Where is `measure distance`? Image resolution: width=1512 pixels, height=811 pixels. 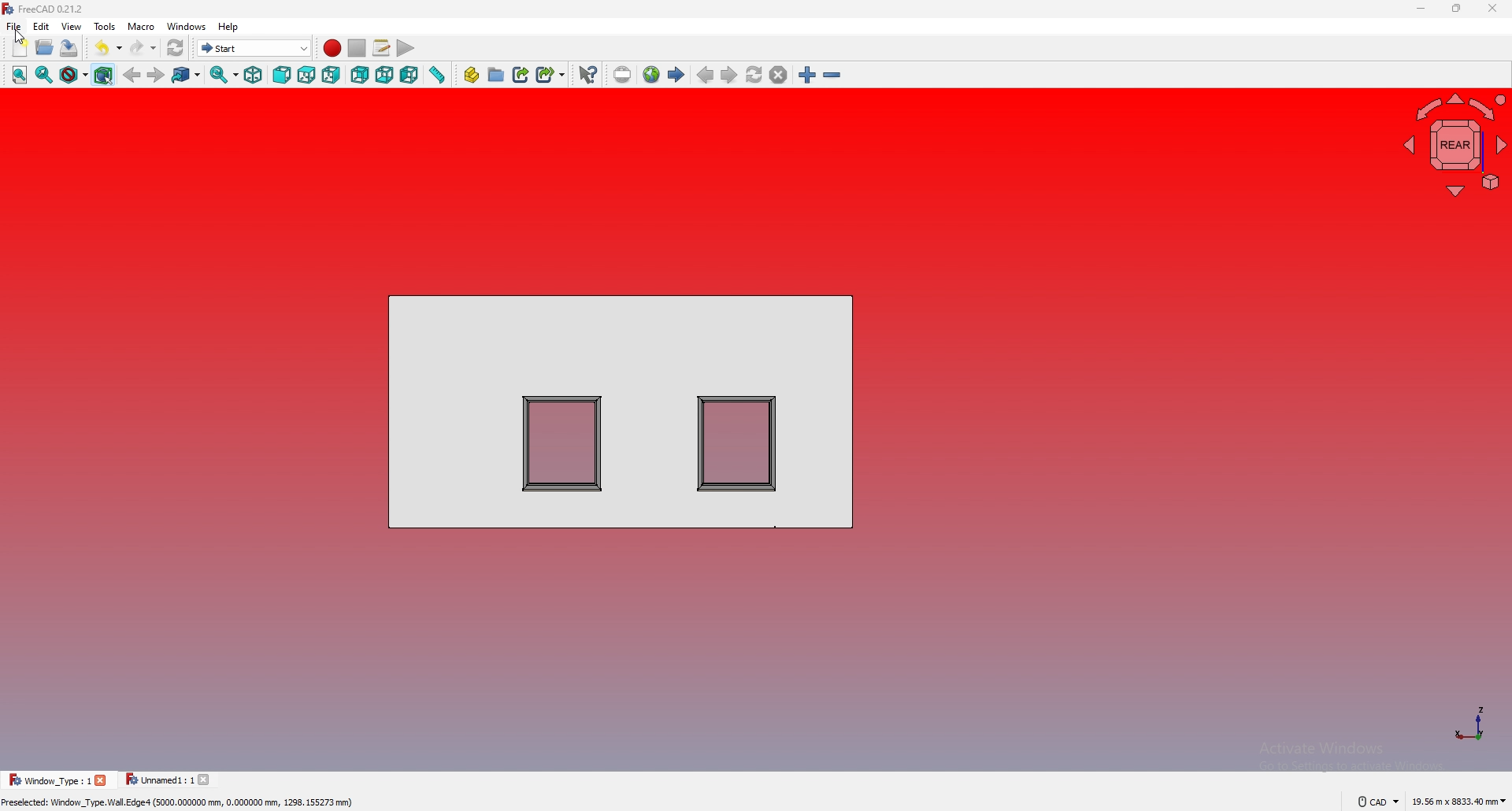
measure distance is located at coordinates (436, 76).